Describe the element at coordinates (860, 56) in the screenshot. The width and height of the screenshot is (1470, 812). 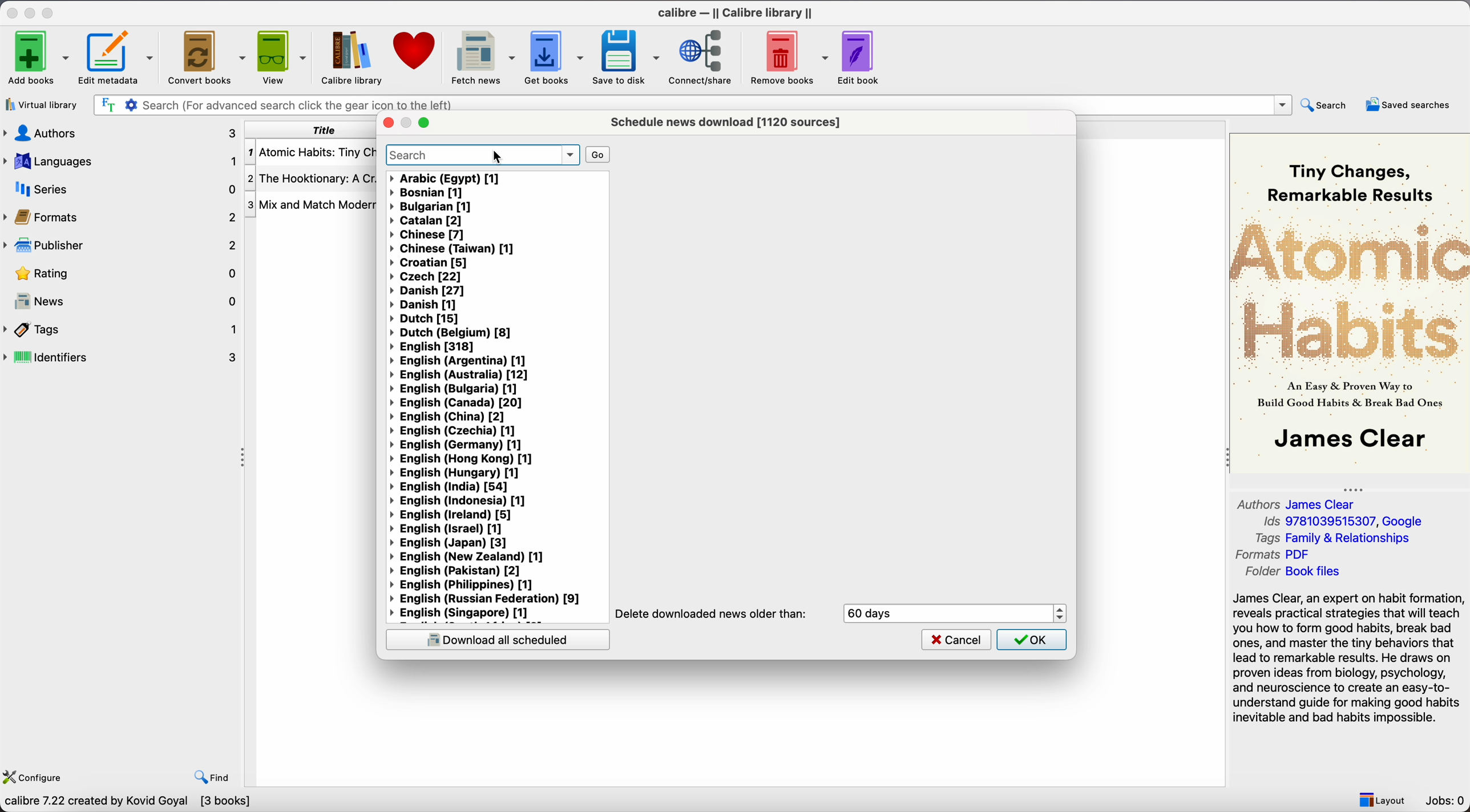
I see `edit book` at that location.